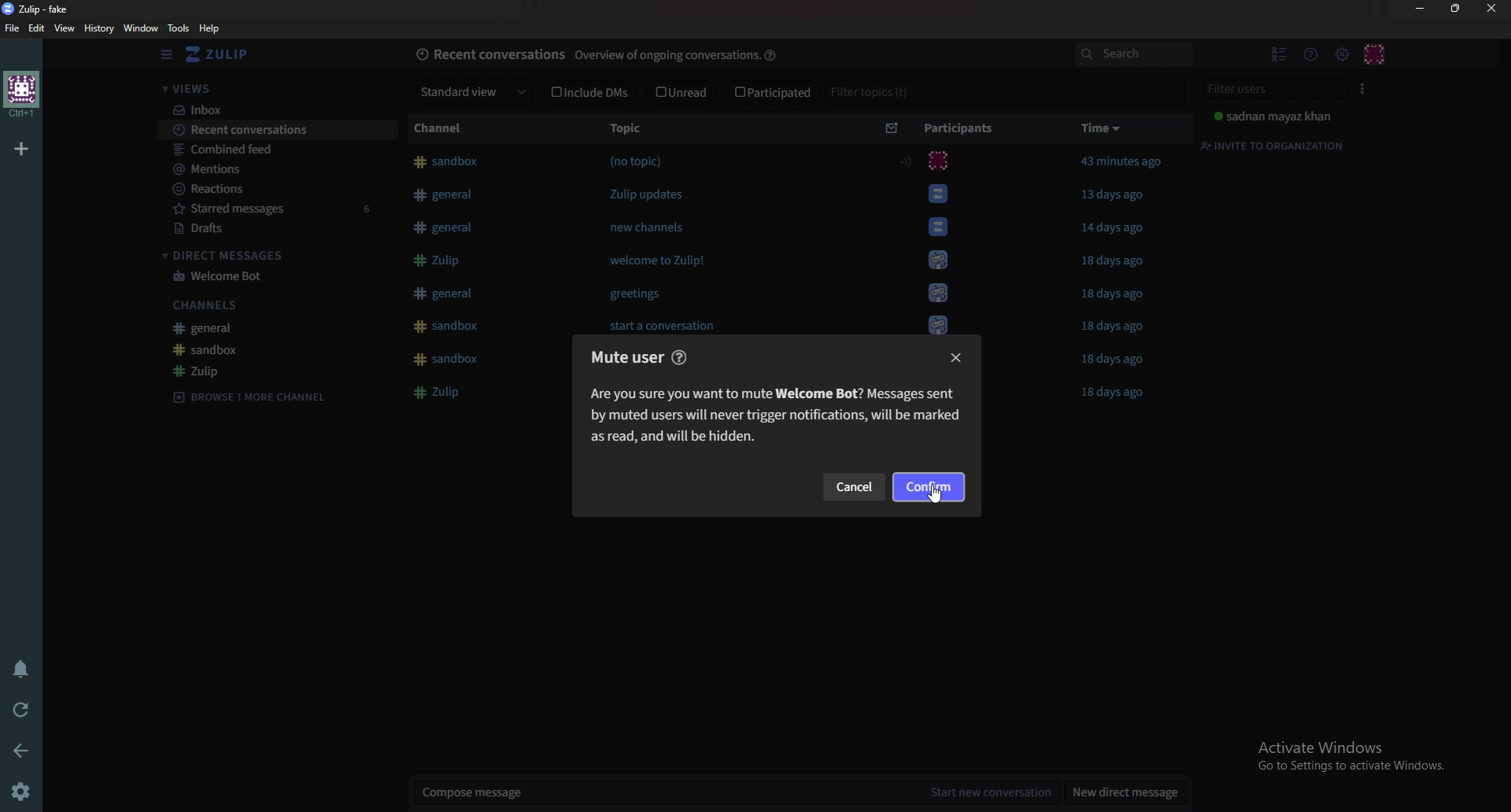  What do you see at coordinates (937, 323) in the screenshot?
I see `icon` at bounding box center [937, 323].